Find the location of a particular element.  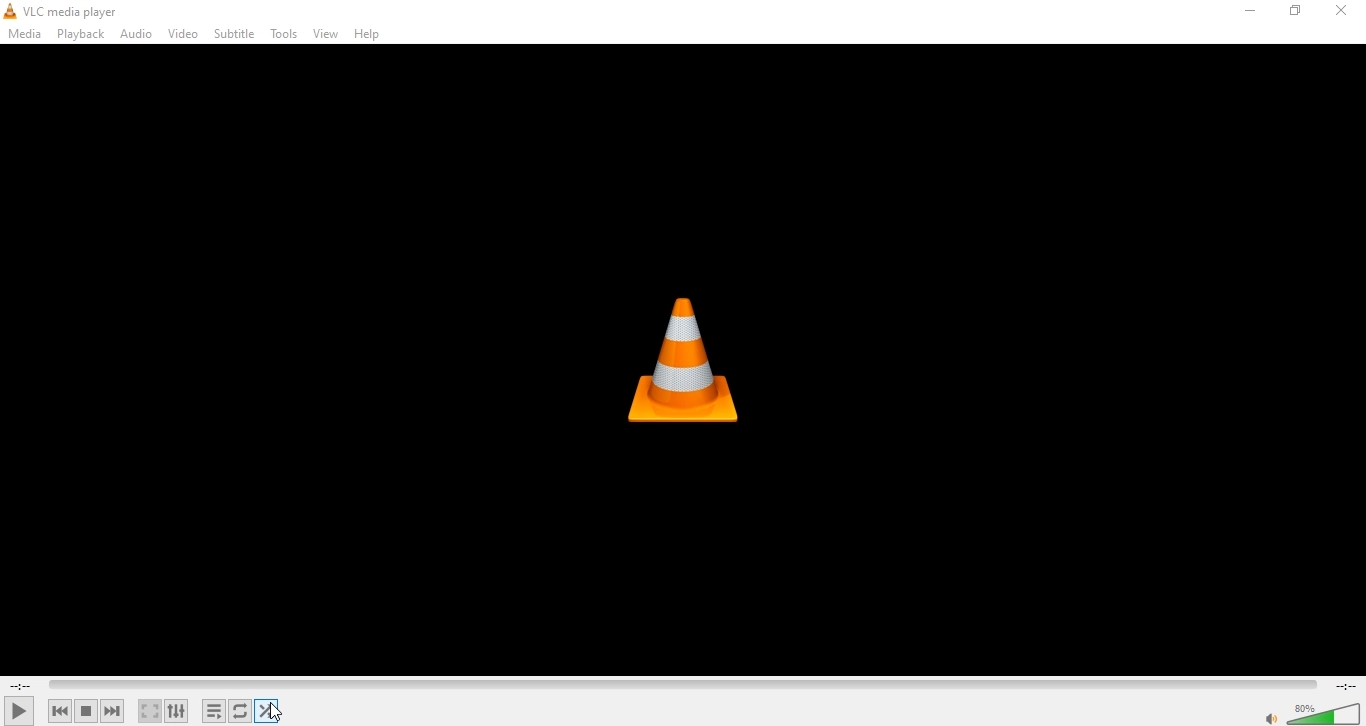

show extended settings is located at coordinates (176, 711).